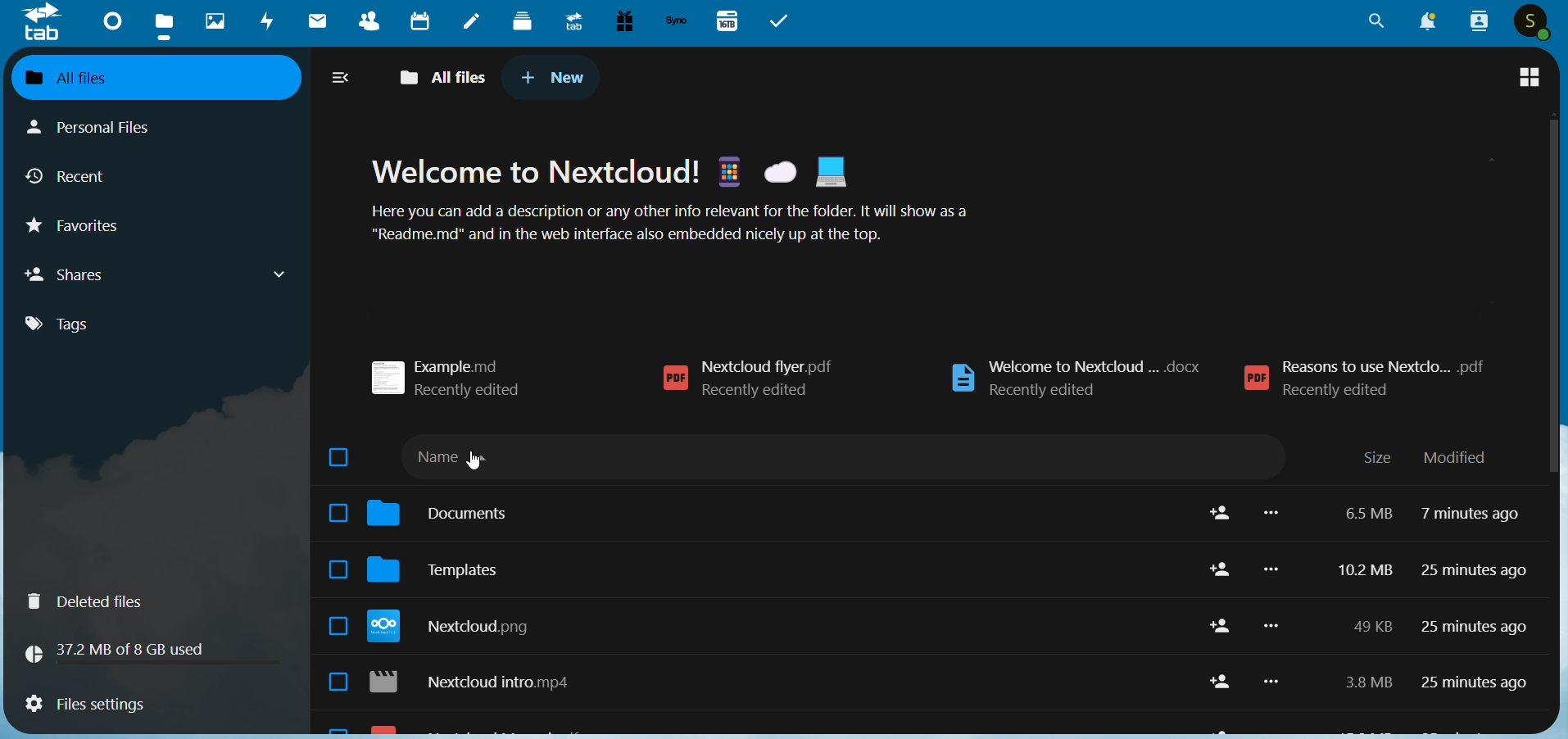 This screenshot has height=739, width=1568. Describe the element at coordinates (339, 75) in the screenshot. I see `expand/collapse` at that location.